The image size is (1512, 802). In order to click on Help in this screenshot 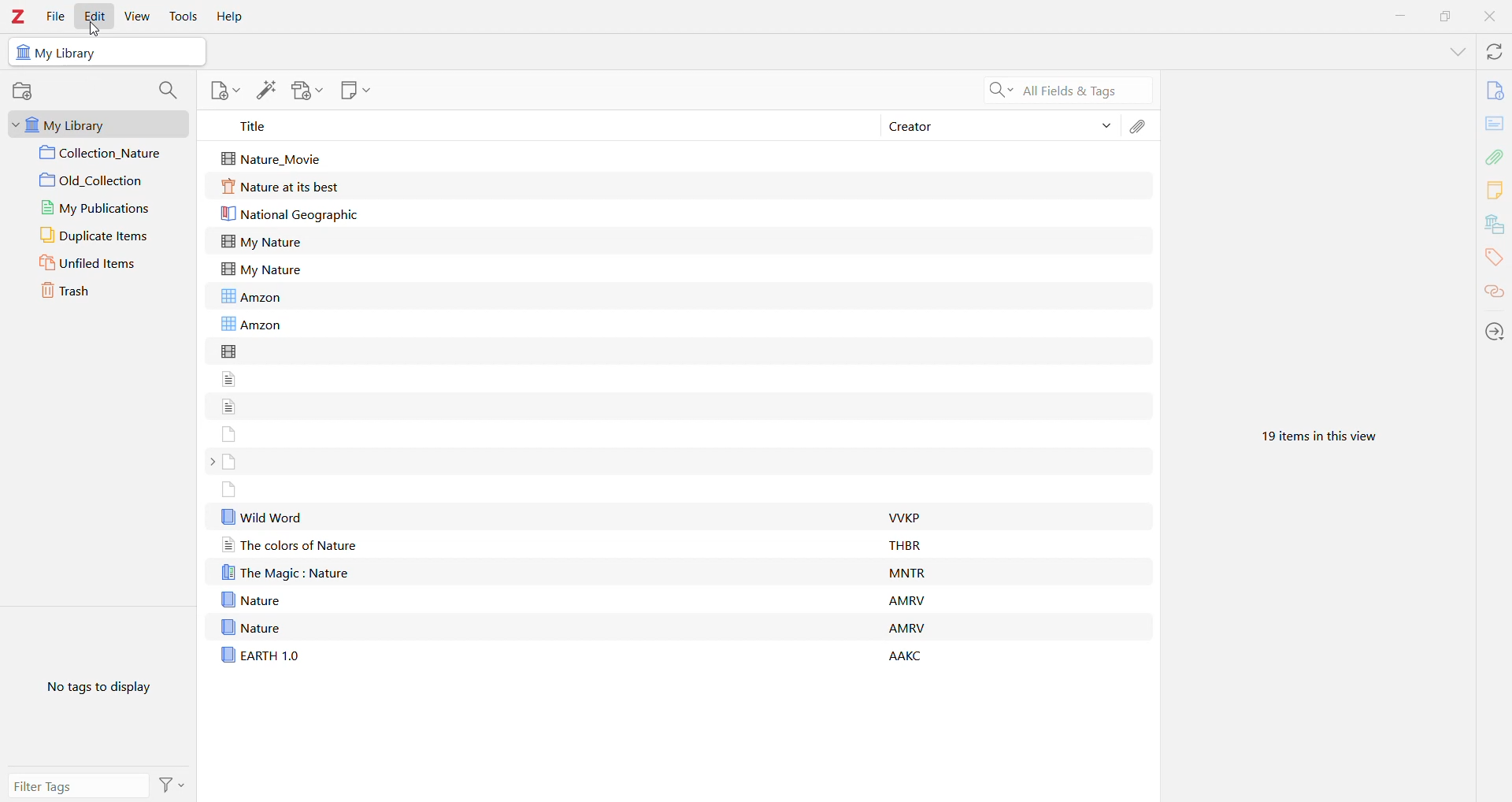, I will do `click(232, 16)`.